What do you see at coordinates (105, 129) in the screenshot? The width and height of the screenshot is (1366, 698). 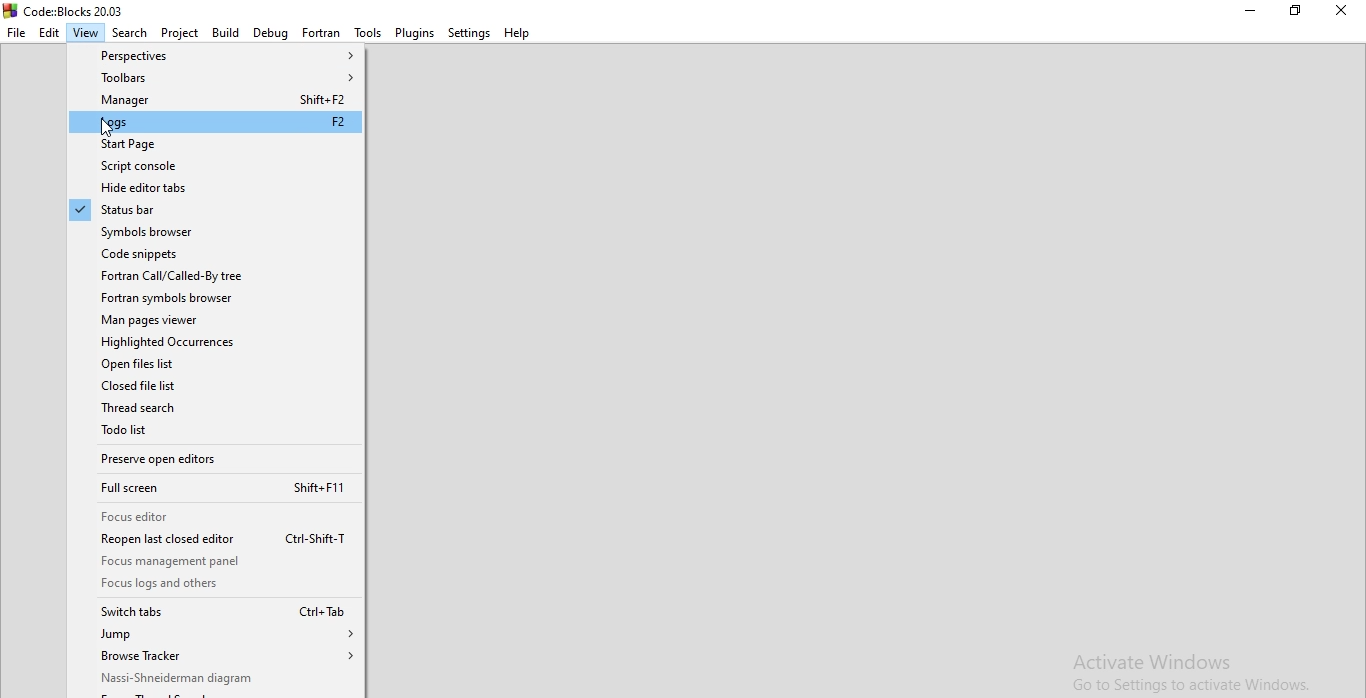 I see `cursor` at bounding box center [105, 129].